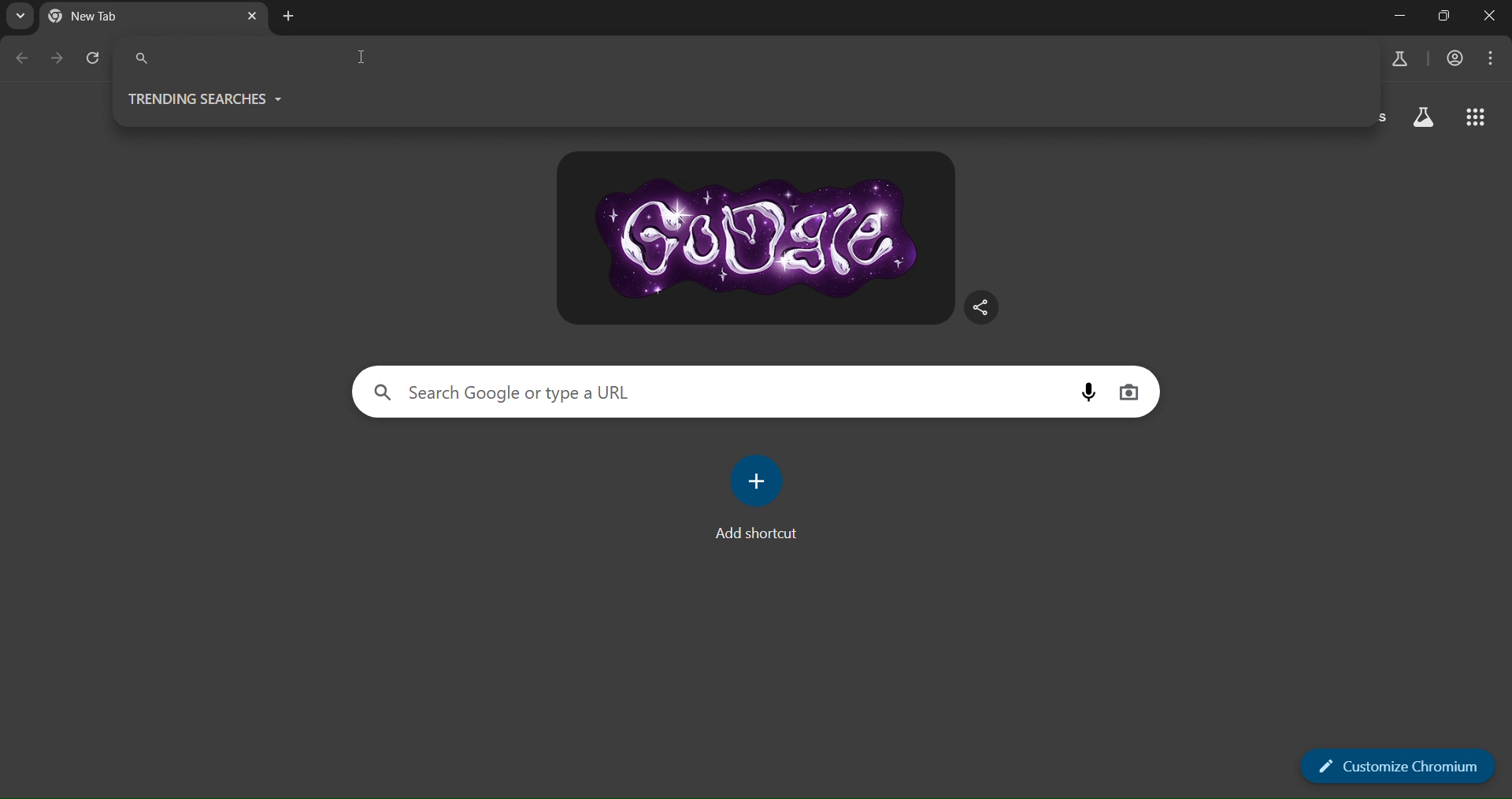 The height and width of the screenshot is (799, 1512). I want to click on go forward one page, so click(60, 61).